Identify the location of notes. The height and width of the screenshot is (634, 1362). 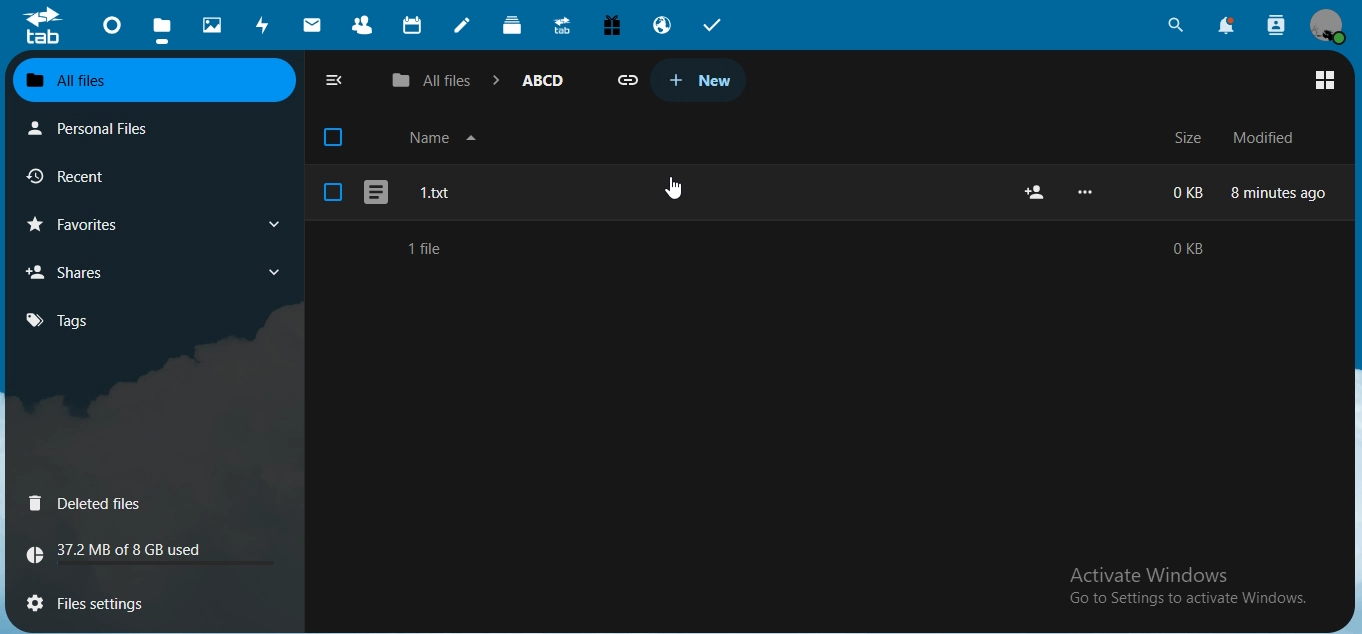
(463, 25).